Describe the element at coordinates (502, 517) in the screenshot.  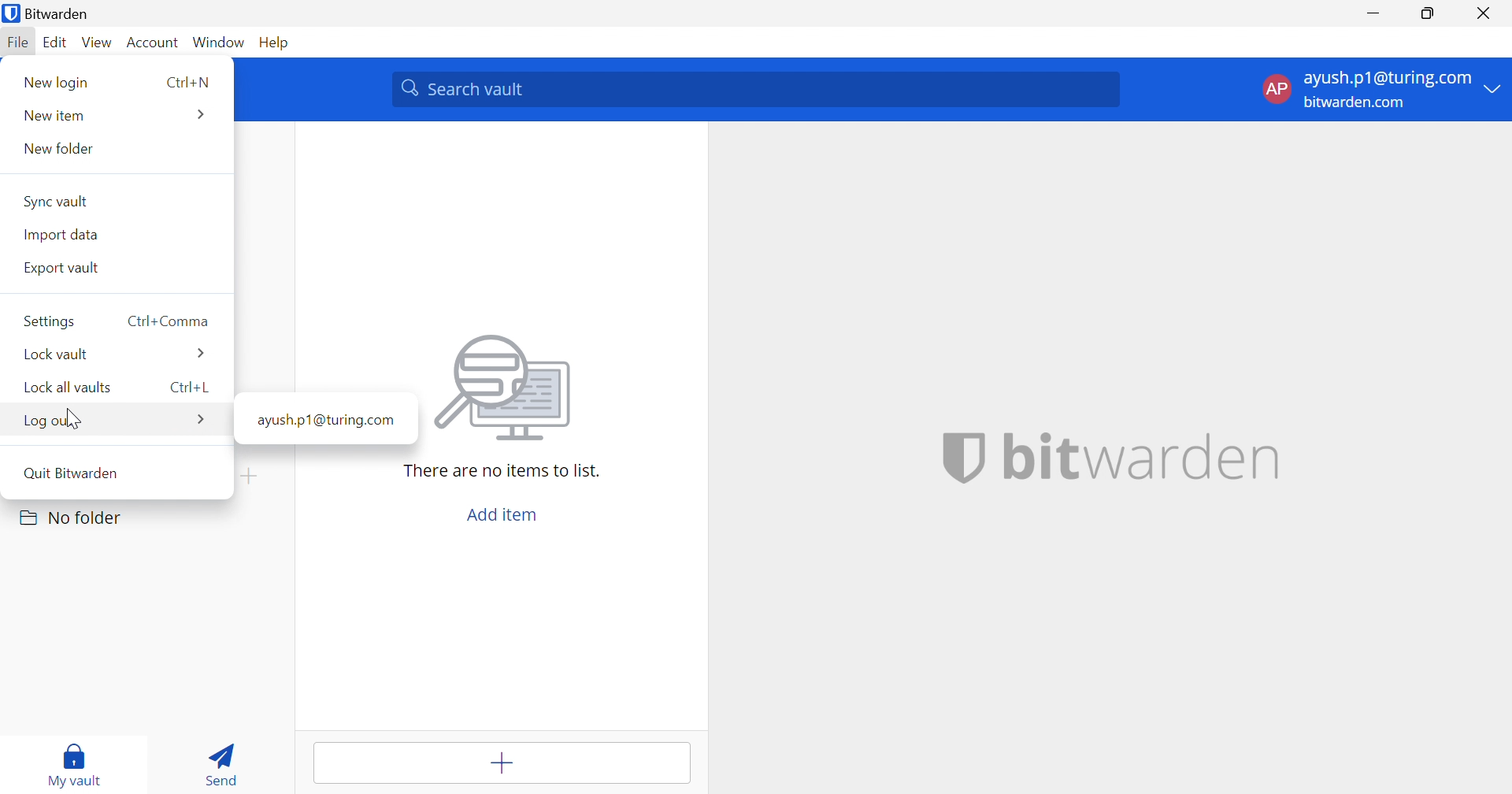
I see `Add item` at that location.